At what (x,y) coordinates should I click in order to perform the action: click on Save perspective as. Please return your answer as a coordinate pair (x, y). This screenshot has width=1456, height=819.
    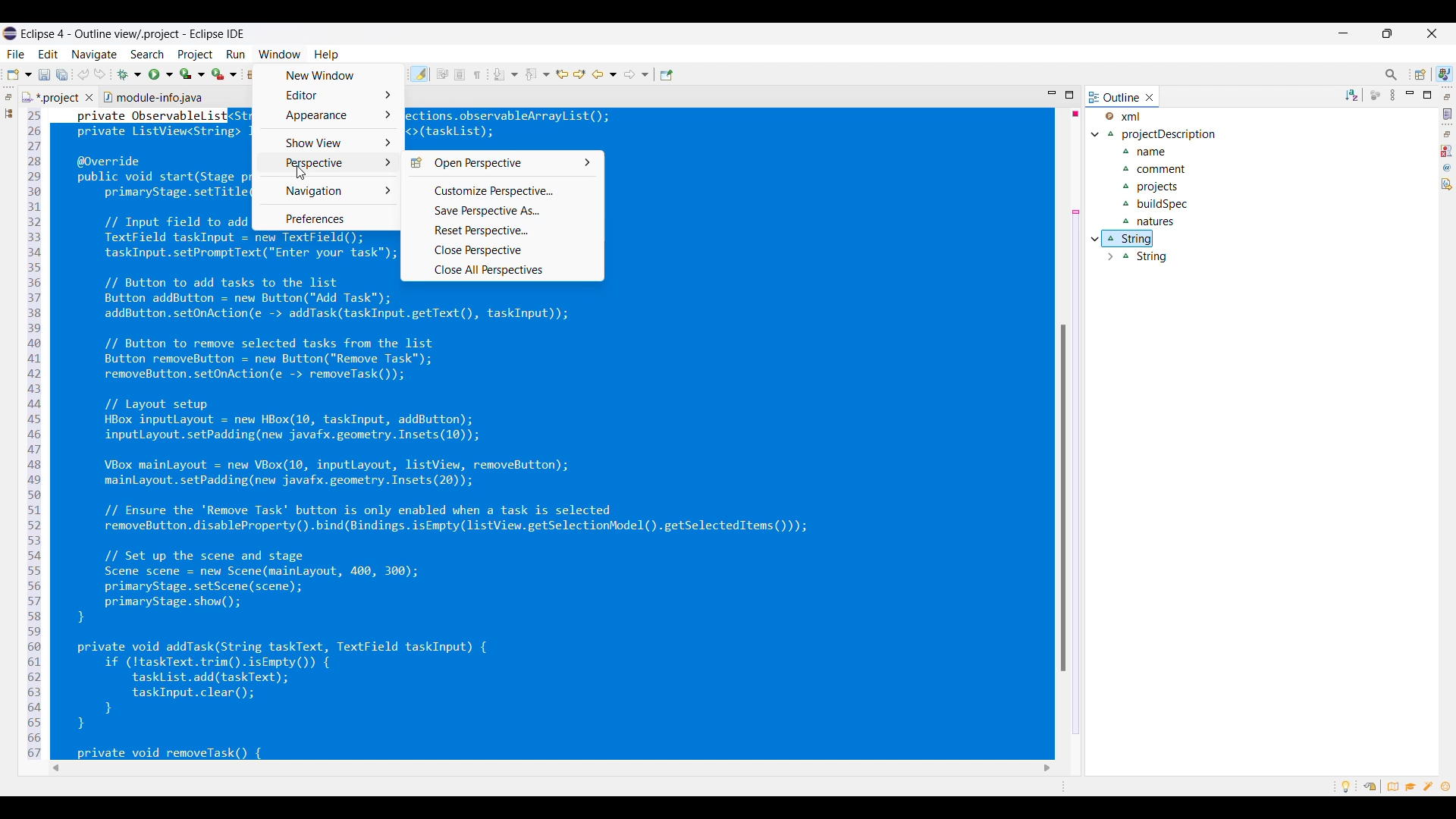
    Looking at the image, I should click on (503, 211).